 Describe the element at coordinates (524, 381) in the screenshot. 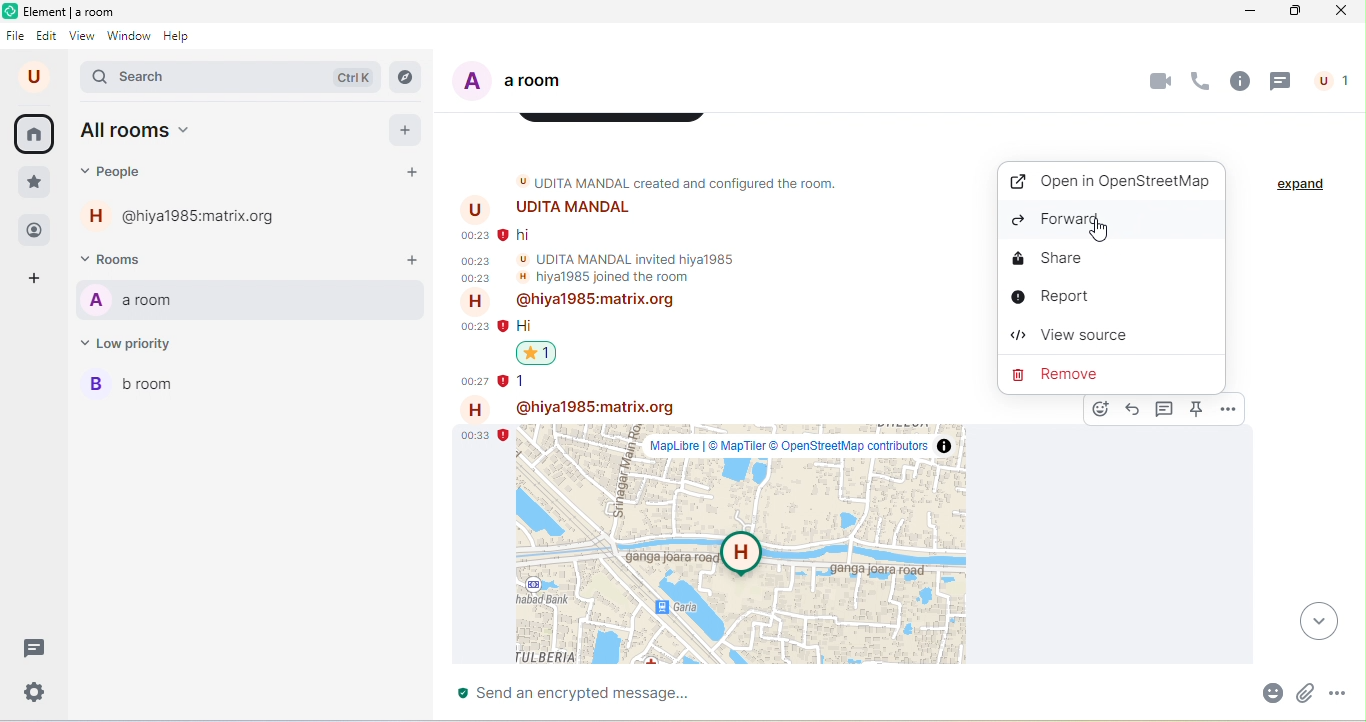

I see `text message: "1"` at that location.